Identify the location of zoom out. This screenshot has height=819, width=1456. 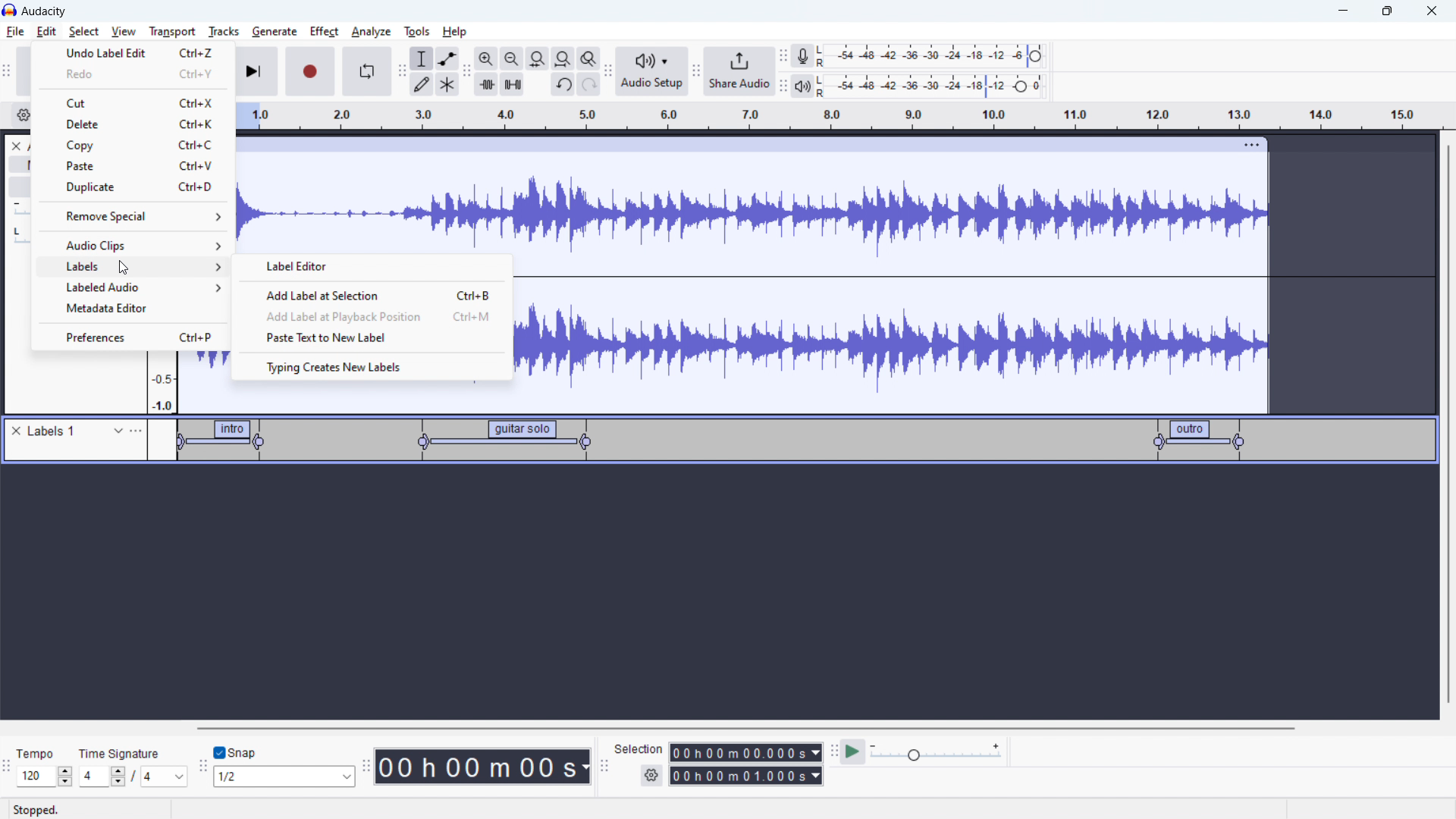
(511, 58).